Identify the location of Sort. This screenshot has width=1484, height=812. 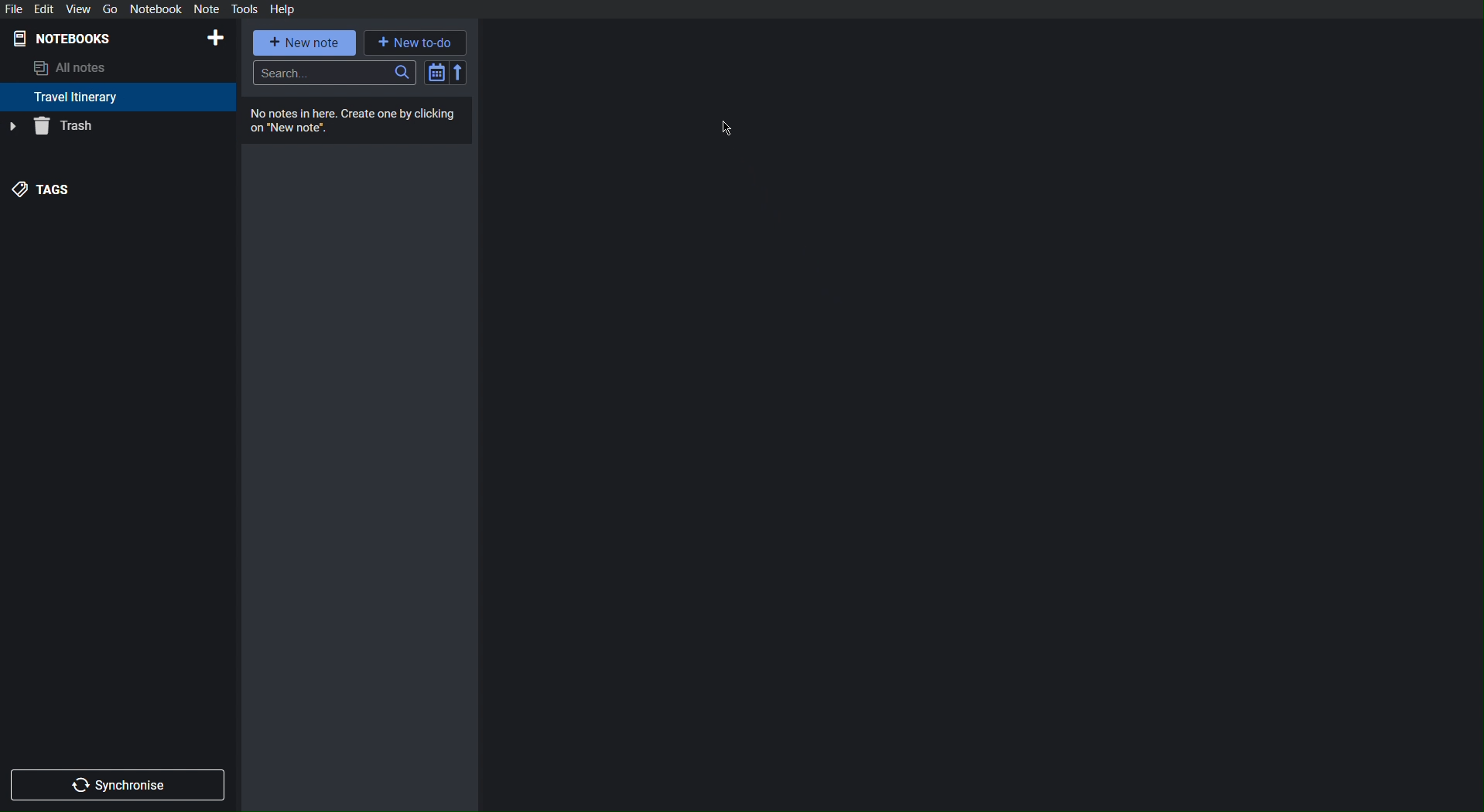
(453, 74).